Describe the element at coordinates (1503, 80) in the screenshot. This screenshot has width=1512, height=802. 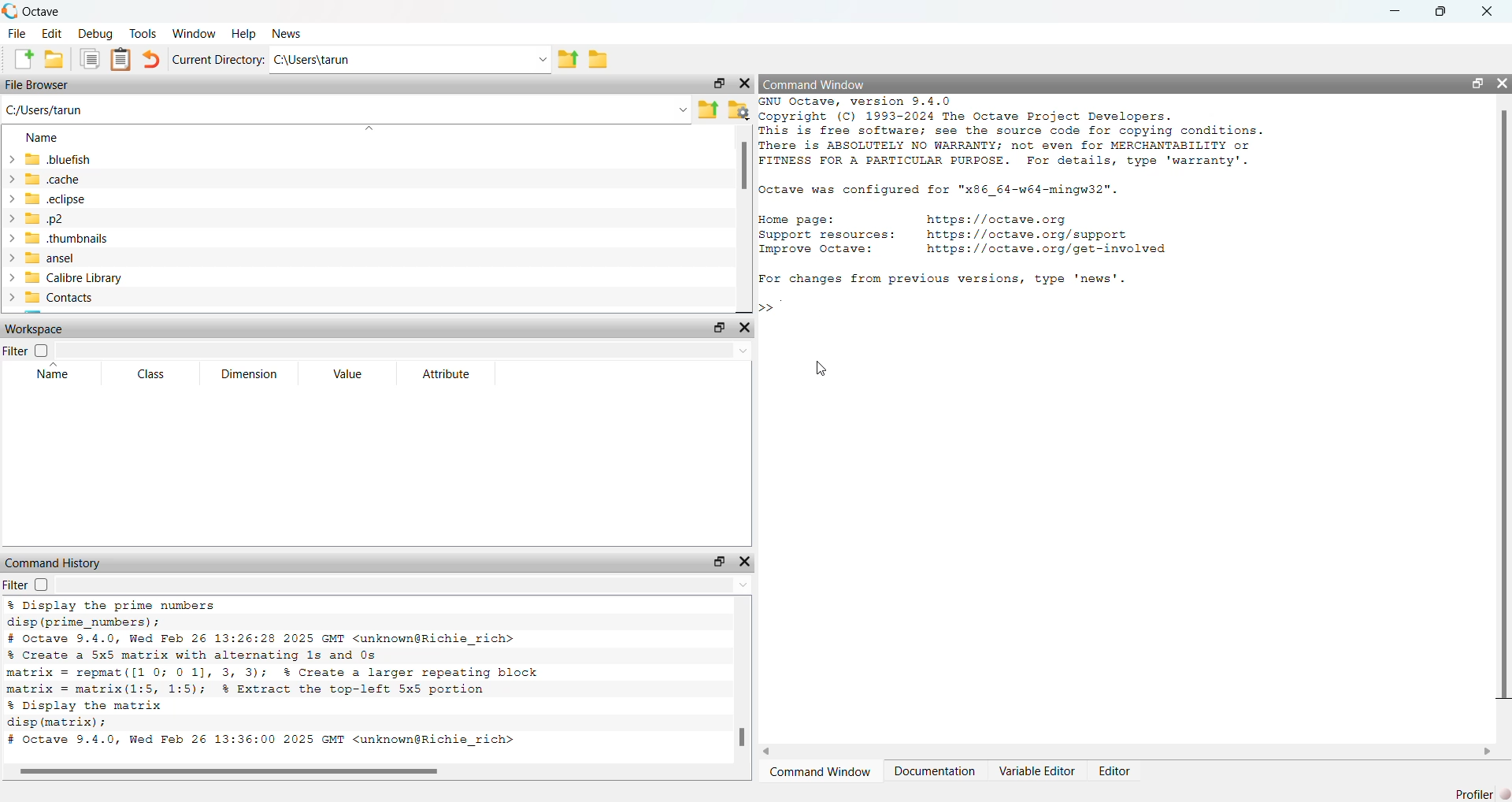
I see `hide widget` at that location.